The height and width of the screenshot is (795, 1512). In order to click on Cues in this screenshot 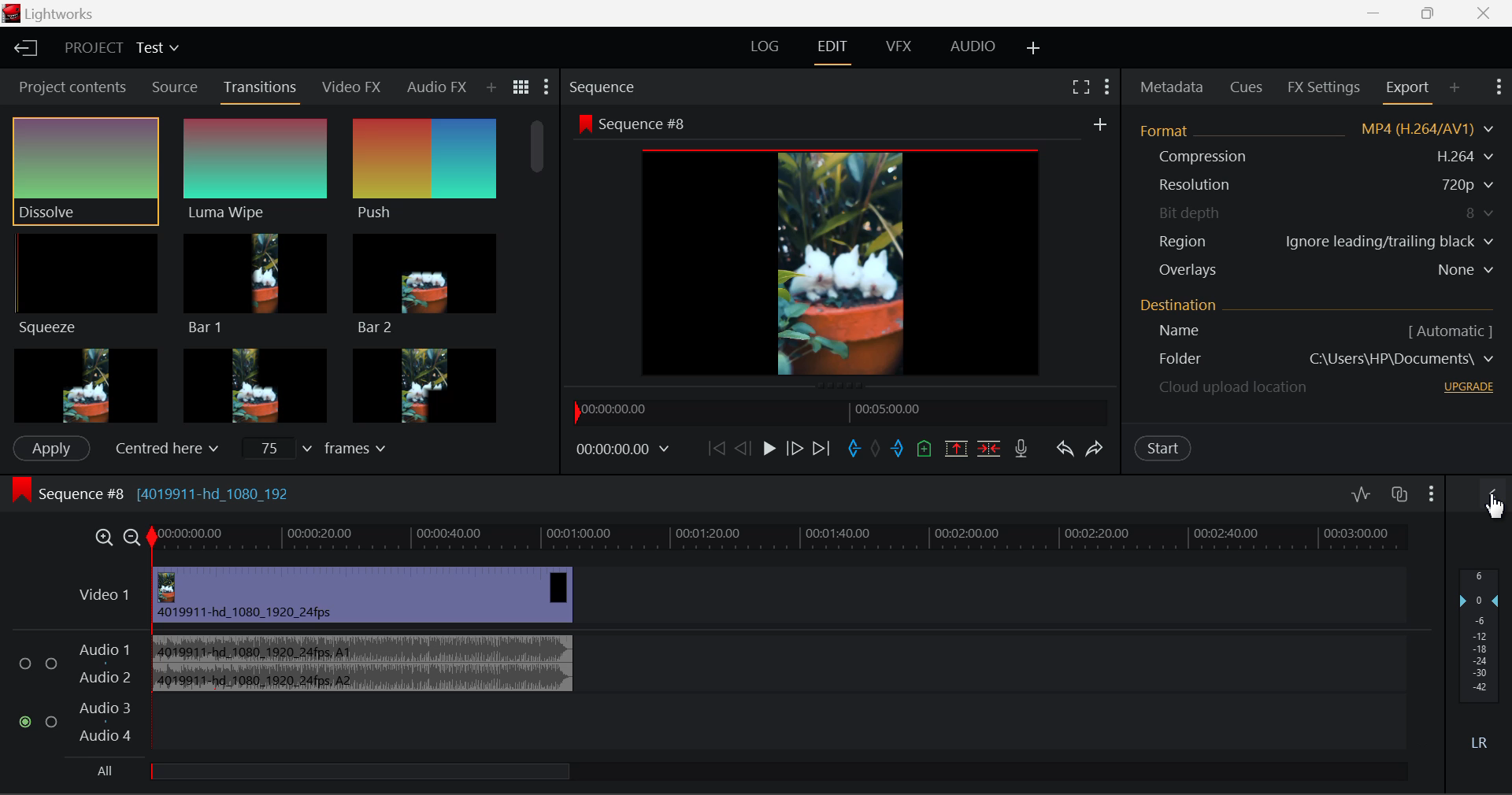, I will do `click(1246, 86)`.